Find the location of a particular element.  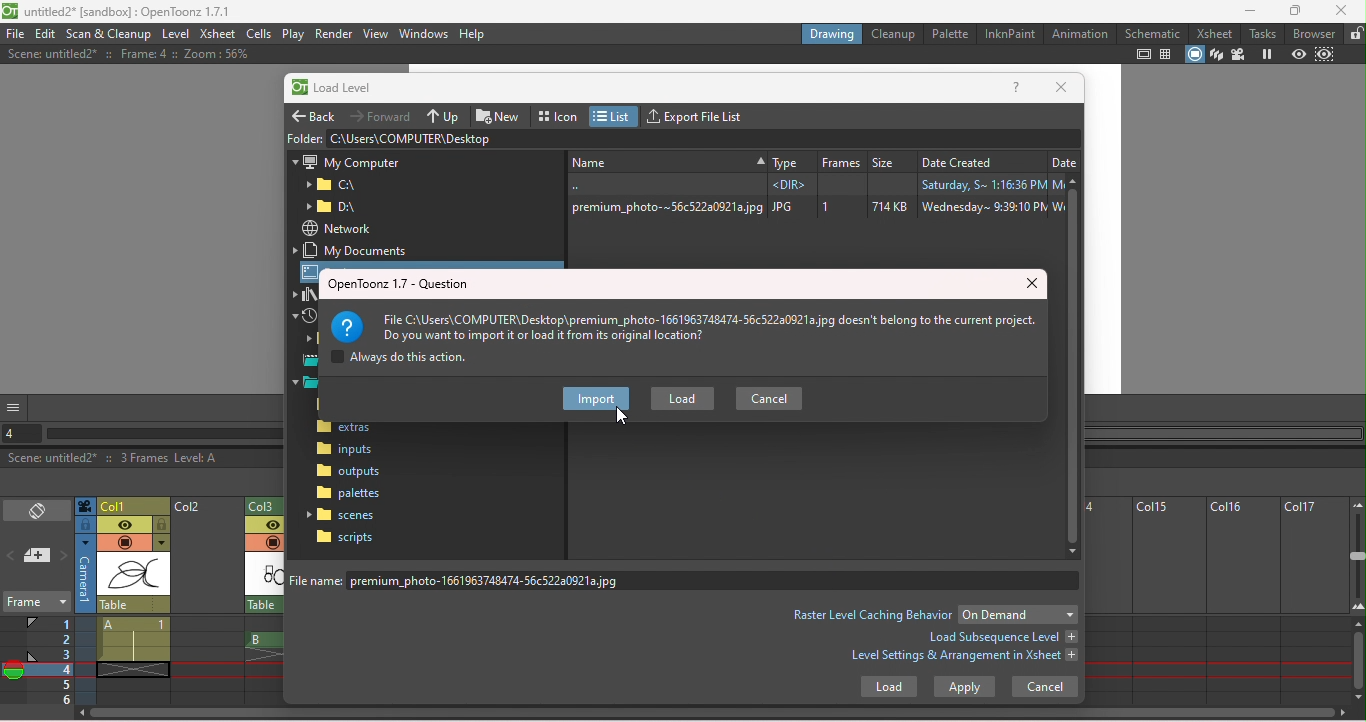

tasks is located at coordinates (1265, 33).